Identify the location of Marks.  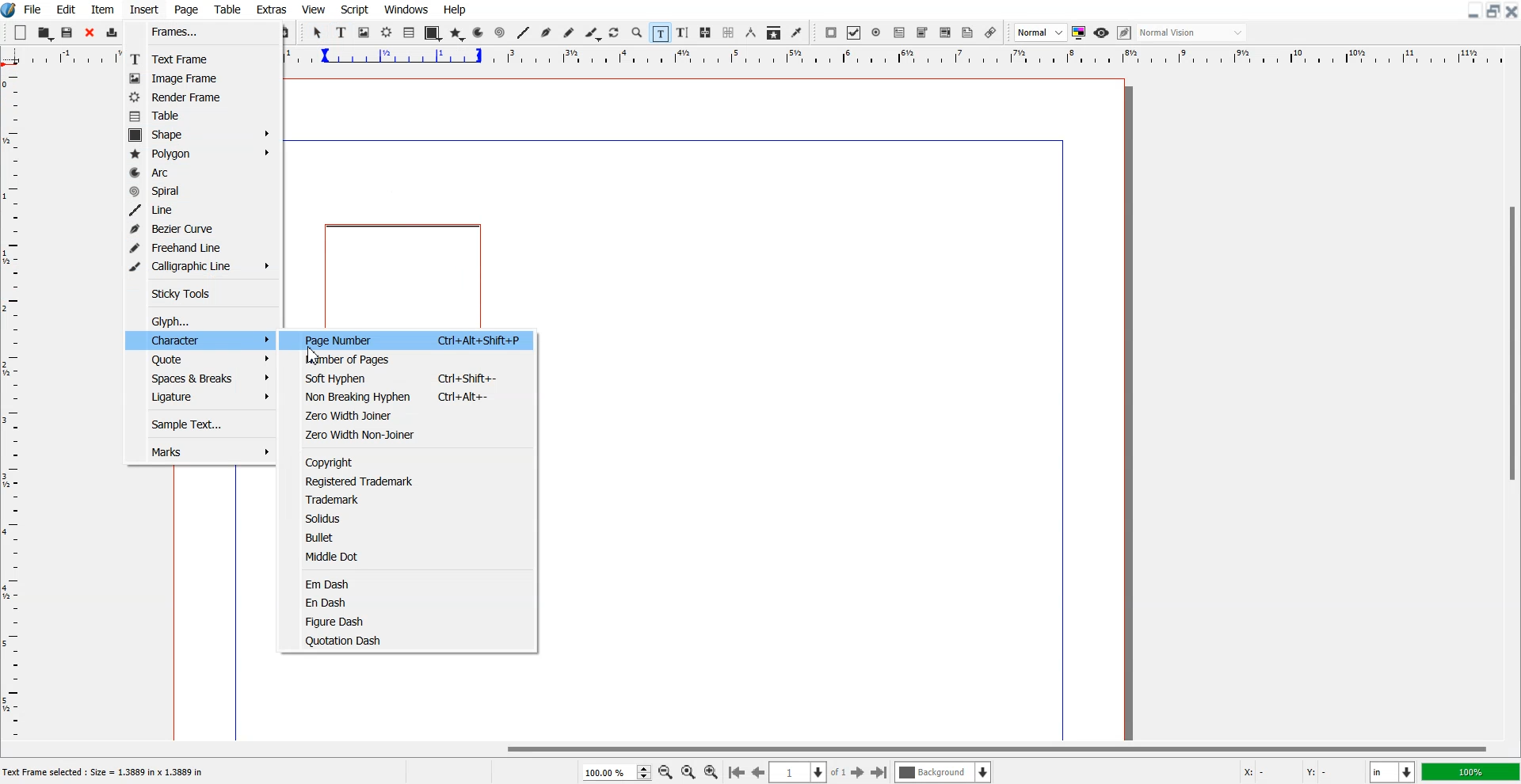
(200, 452).